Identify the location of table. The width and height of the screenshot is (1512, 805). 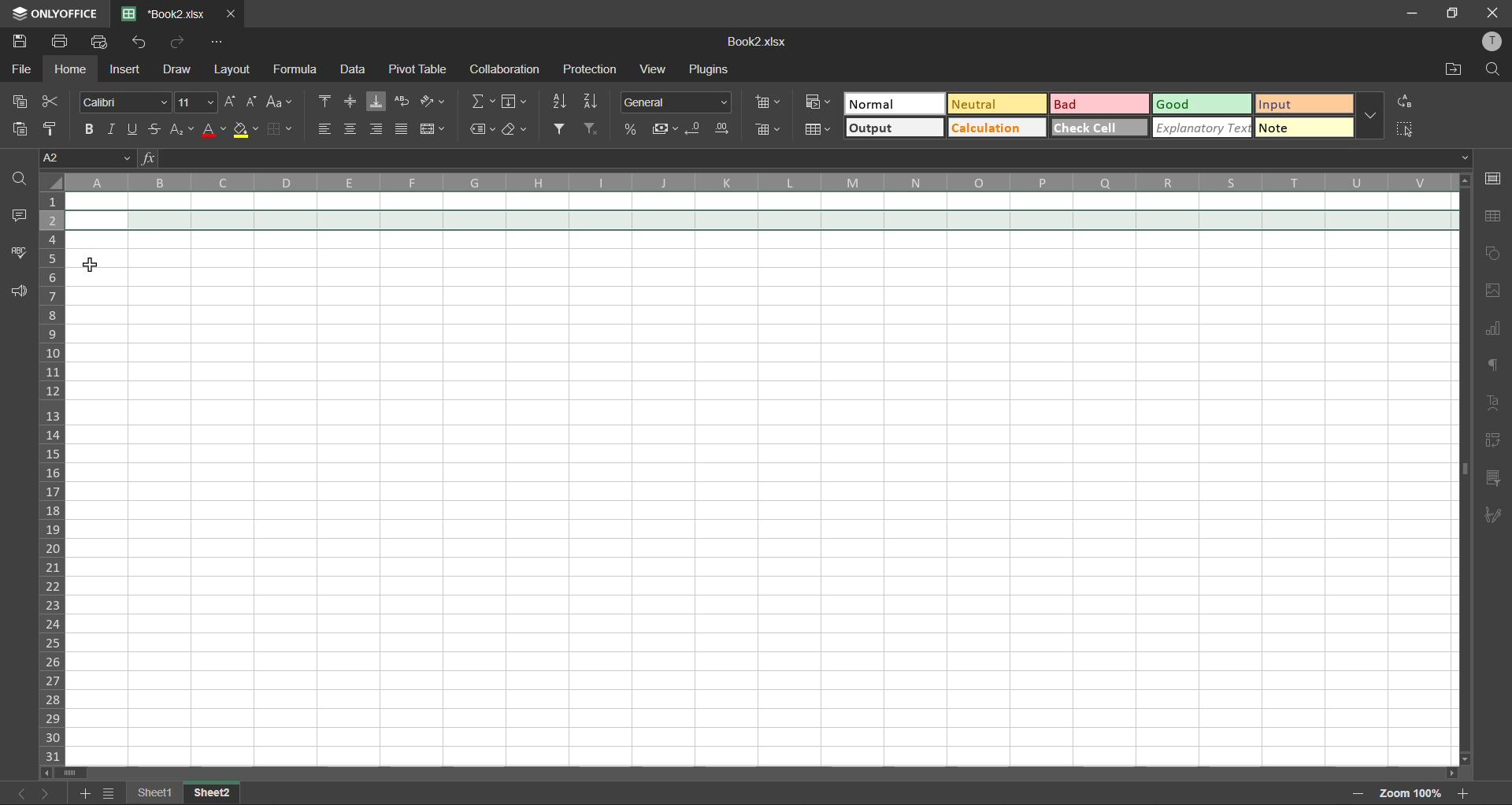
(1495, 217).